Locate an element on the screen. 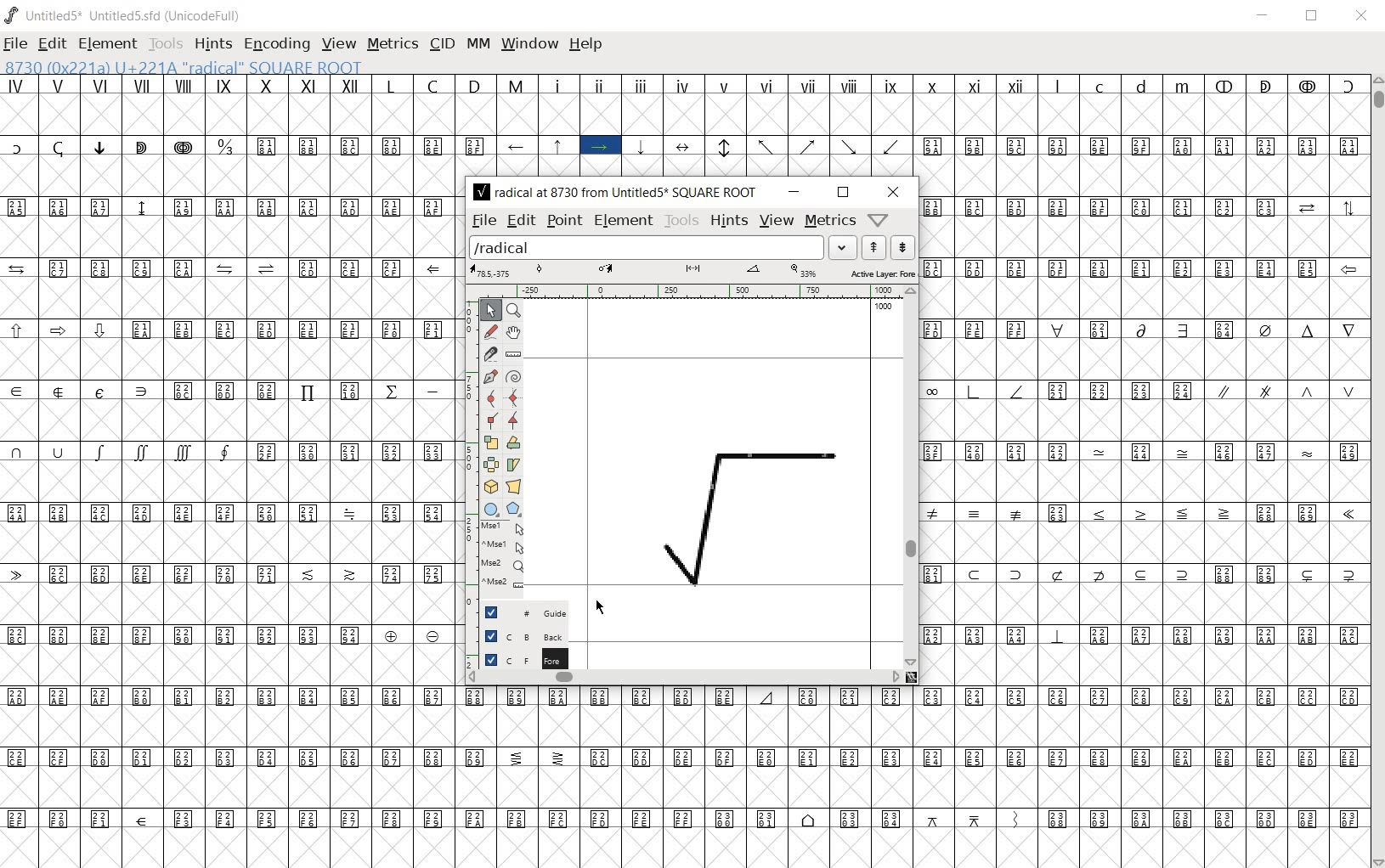 The width and height of the screenshot is (1385, 868). rotate the selection in 3D and project back to plane is located at coordinates (490, 488).